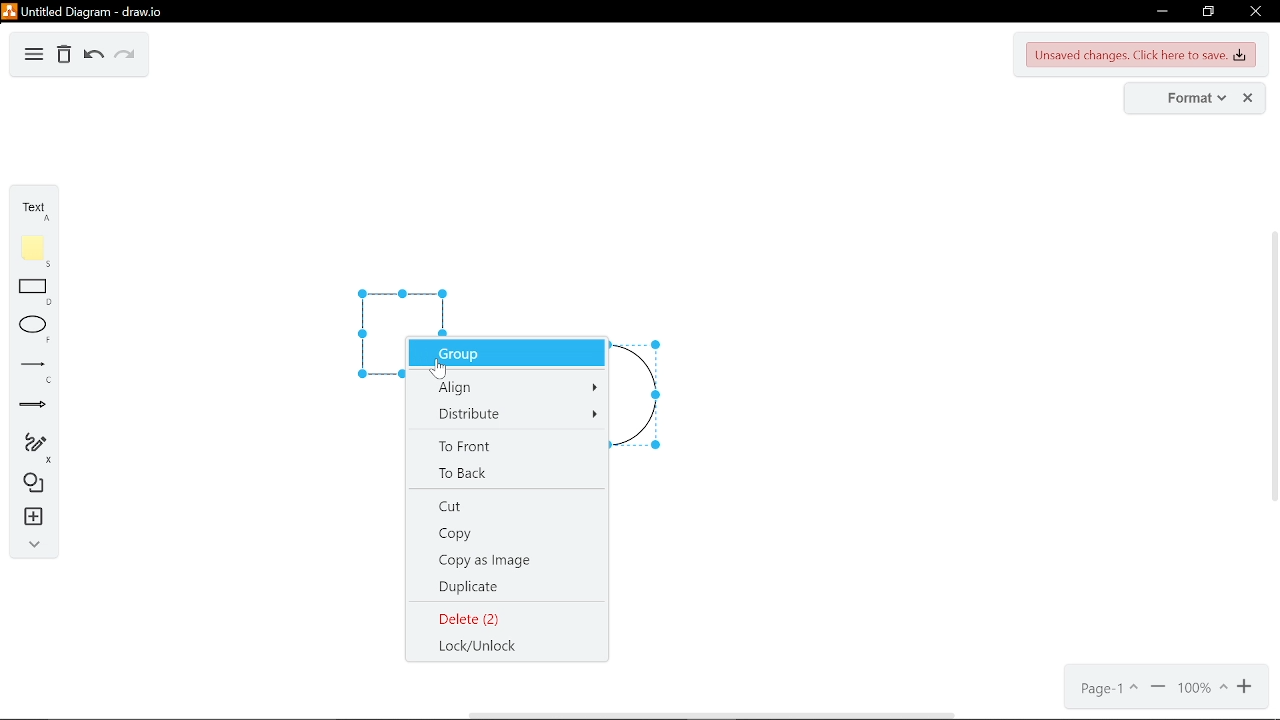 The image size is (1280, 720). Describe the element at coordinates (642, 395) in the screenshot. I see `circle selected` at that location.